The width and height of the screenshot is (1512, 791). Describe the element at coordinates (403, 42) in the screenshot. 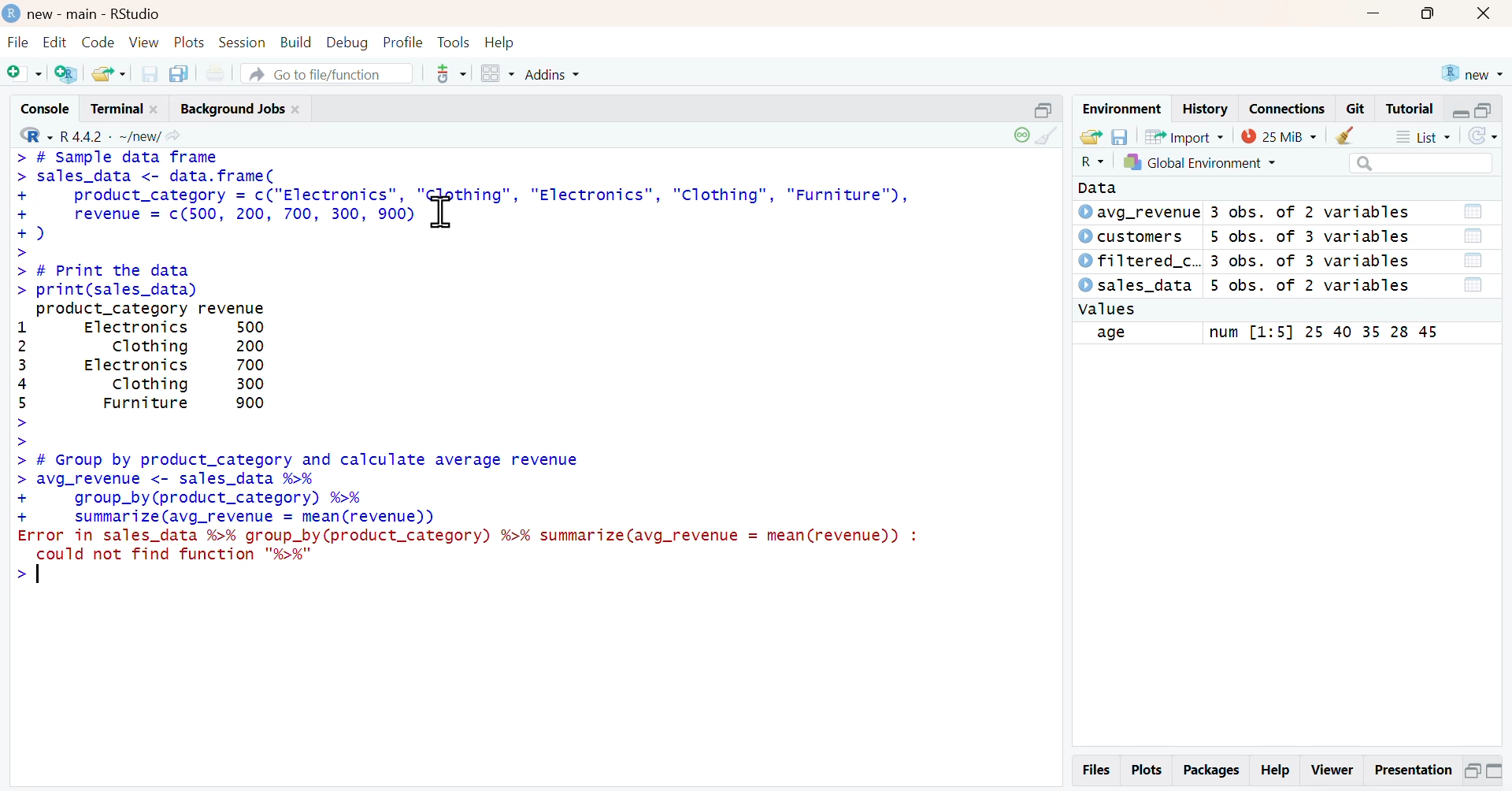

I see `Profile` at that location.